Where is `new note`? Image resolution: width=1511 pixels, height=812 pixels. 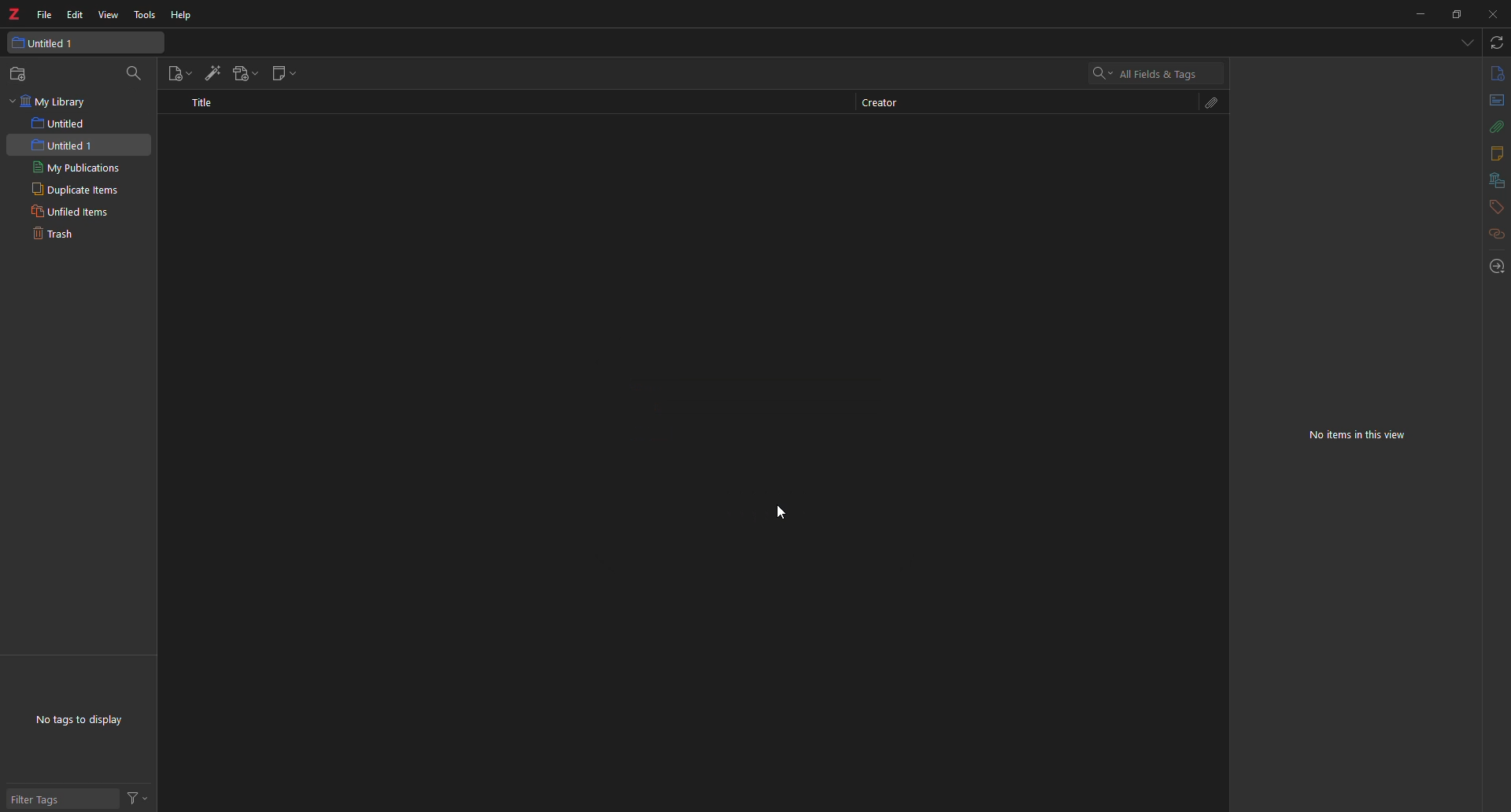 new note is located at coordinates (285, 73).